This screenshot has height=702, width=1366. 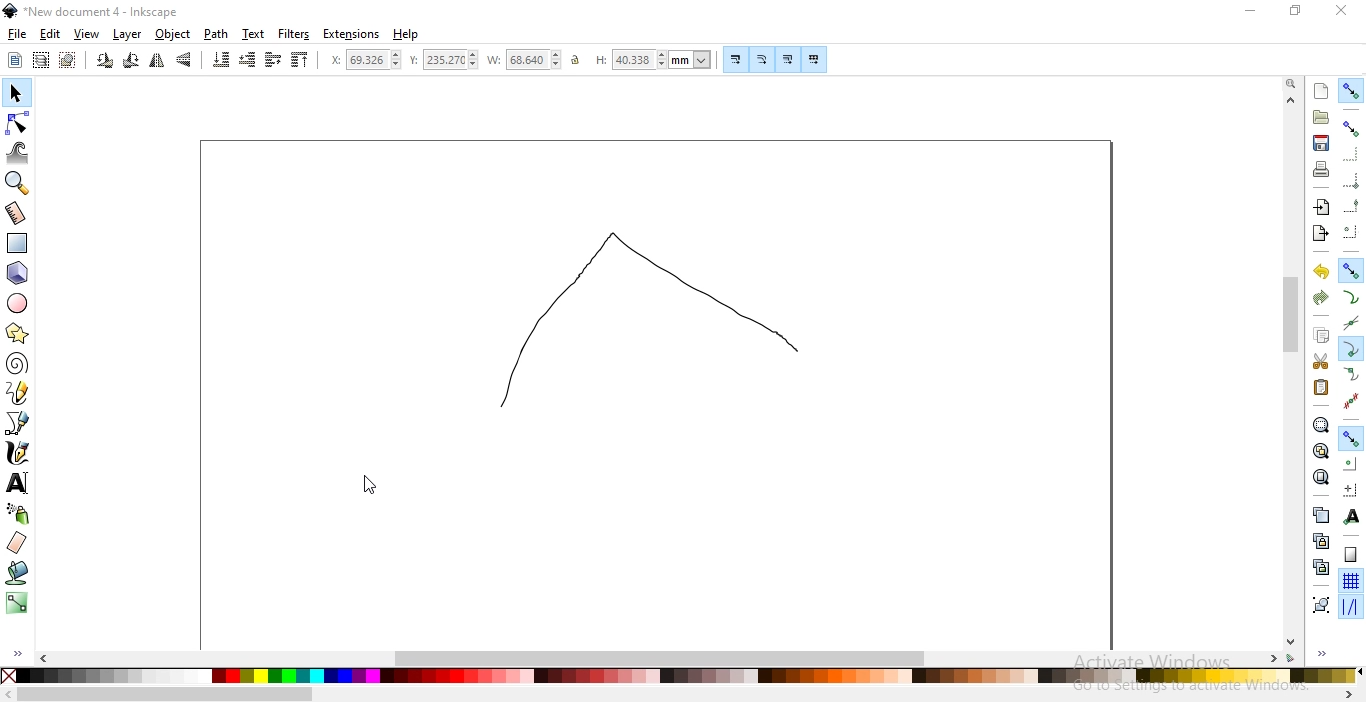 I want to click on snap an item's rotation center, so click(x=1350, y=489).